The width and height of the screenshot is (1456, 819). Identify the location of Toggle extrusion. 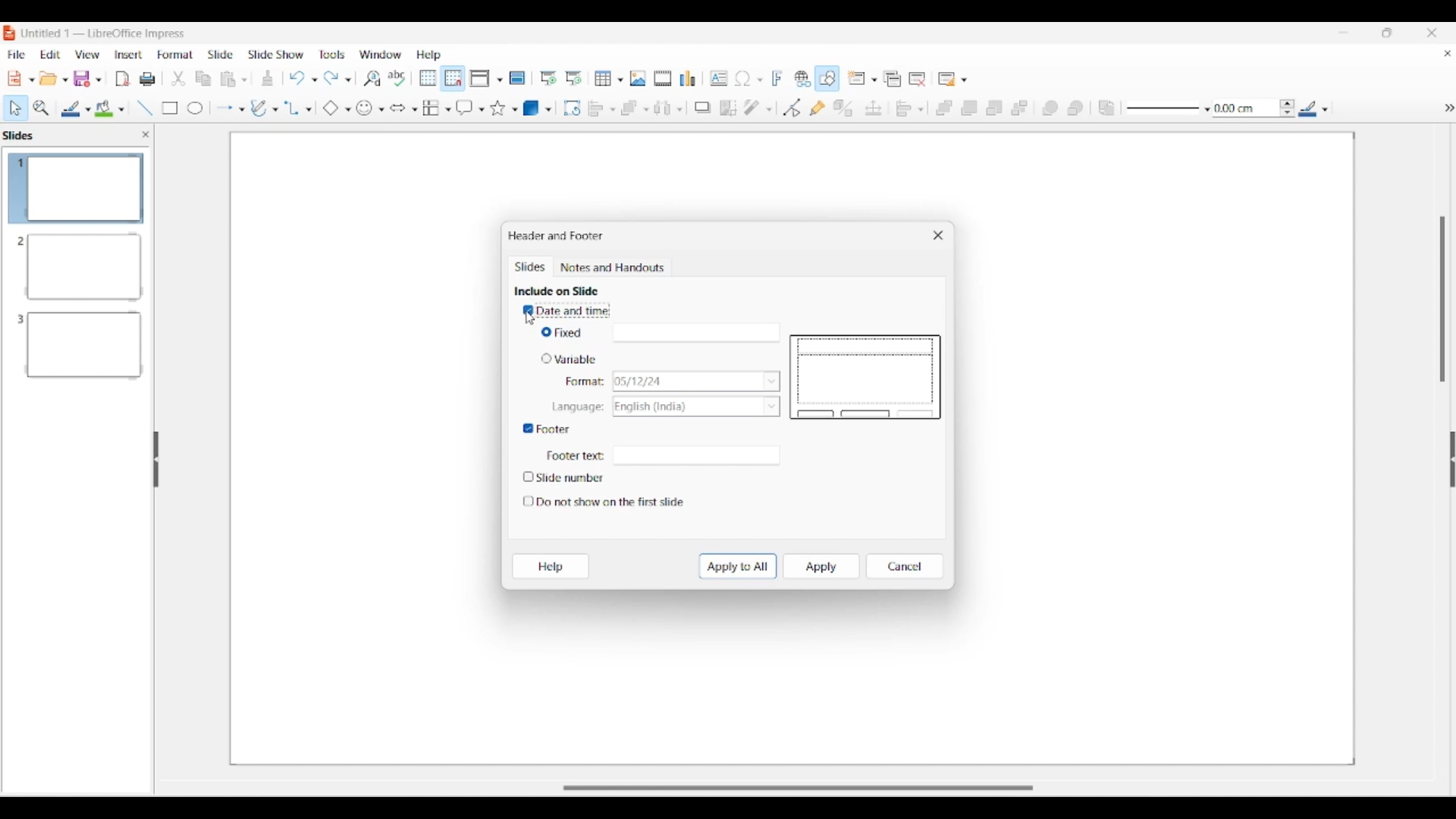
(844, 108).